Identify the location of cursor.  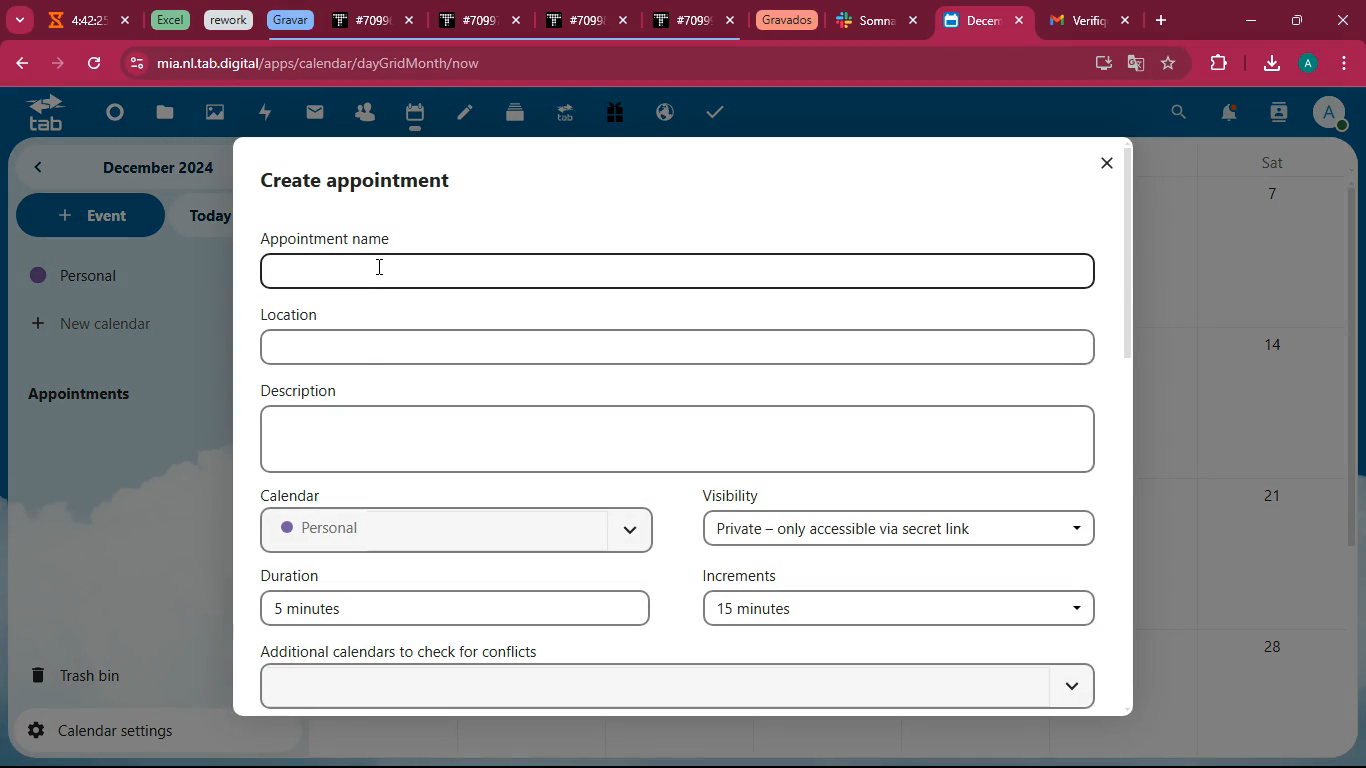
(382, 269).